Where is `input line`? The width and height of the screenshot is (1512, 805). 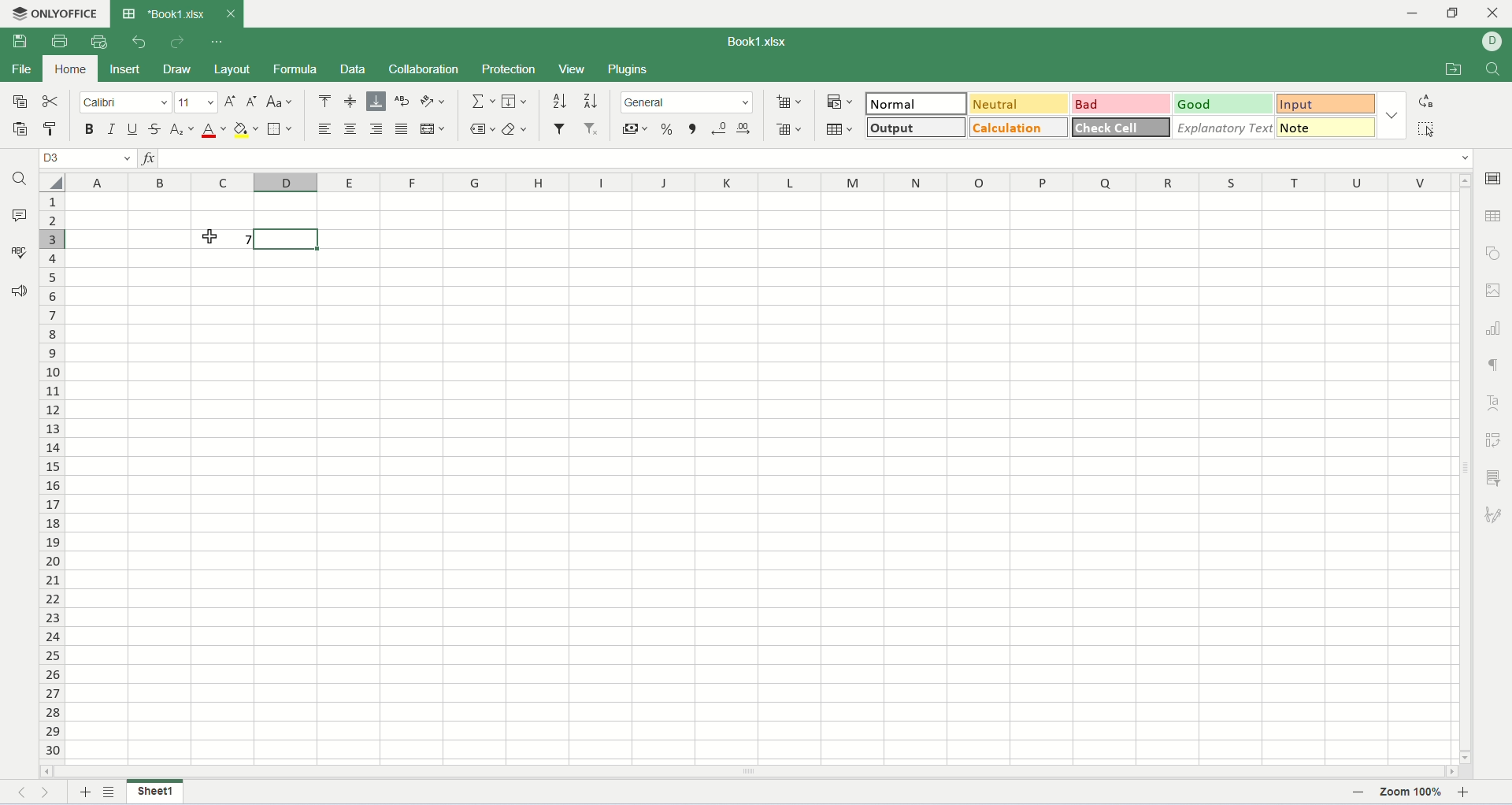 input line is located at coordinates (817, 157).